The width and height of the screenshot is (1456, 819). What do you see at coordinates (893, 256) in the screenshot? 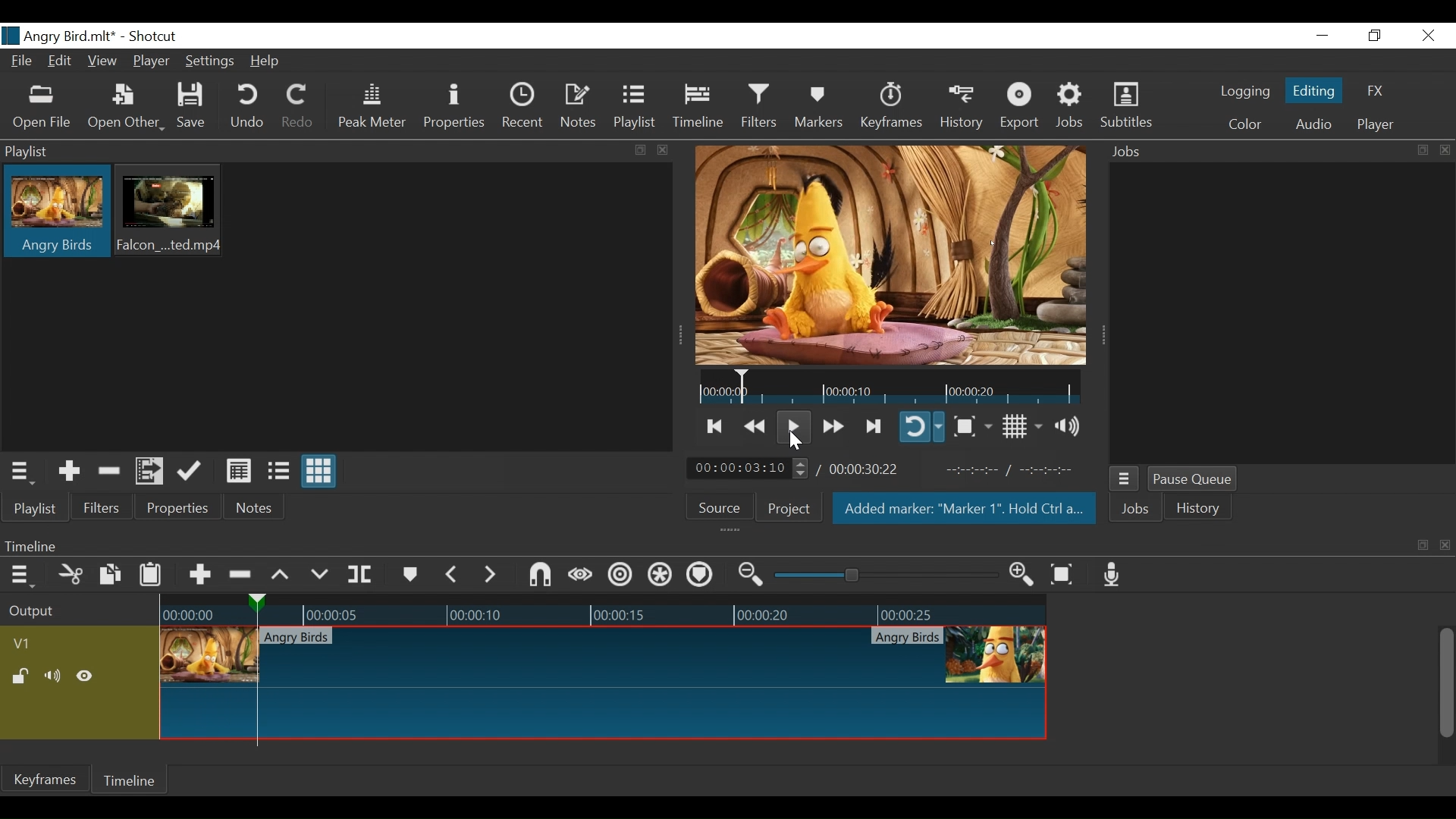
I see `Media Viewer` at bounding box center [893, 256].